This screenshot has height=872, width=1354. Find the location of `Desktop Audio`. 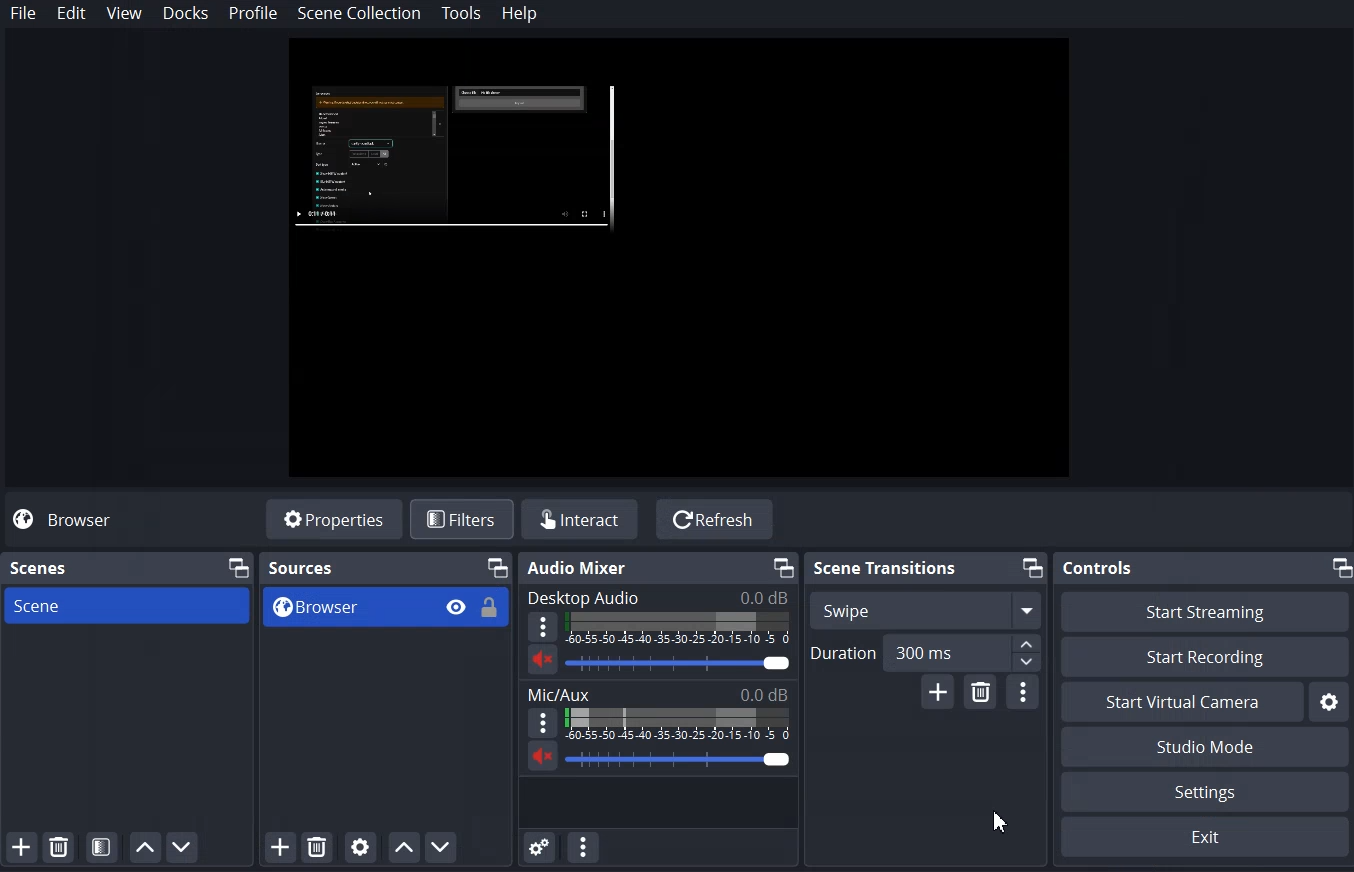

Desktop Audio is located at coordinates (657, 598).